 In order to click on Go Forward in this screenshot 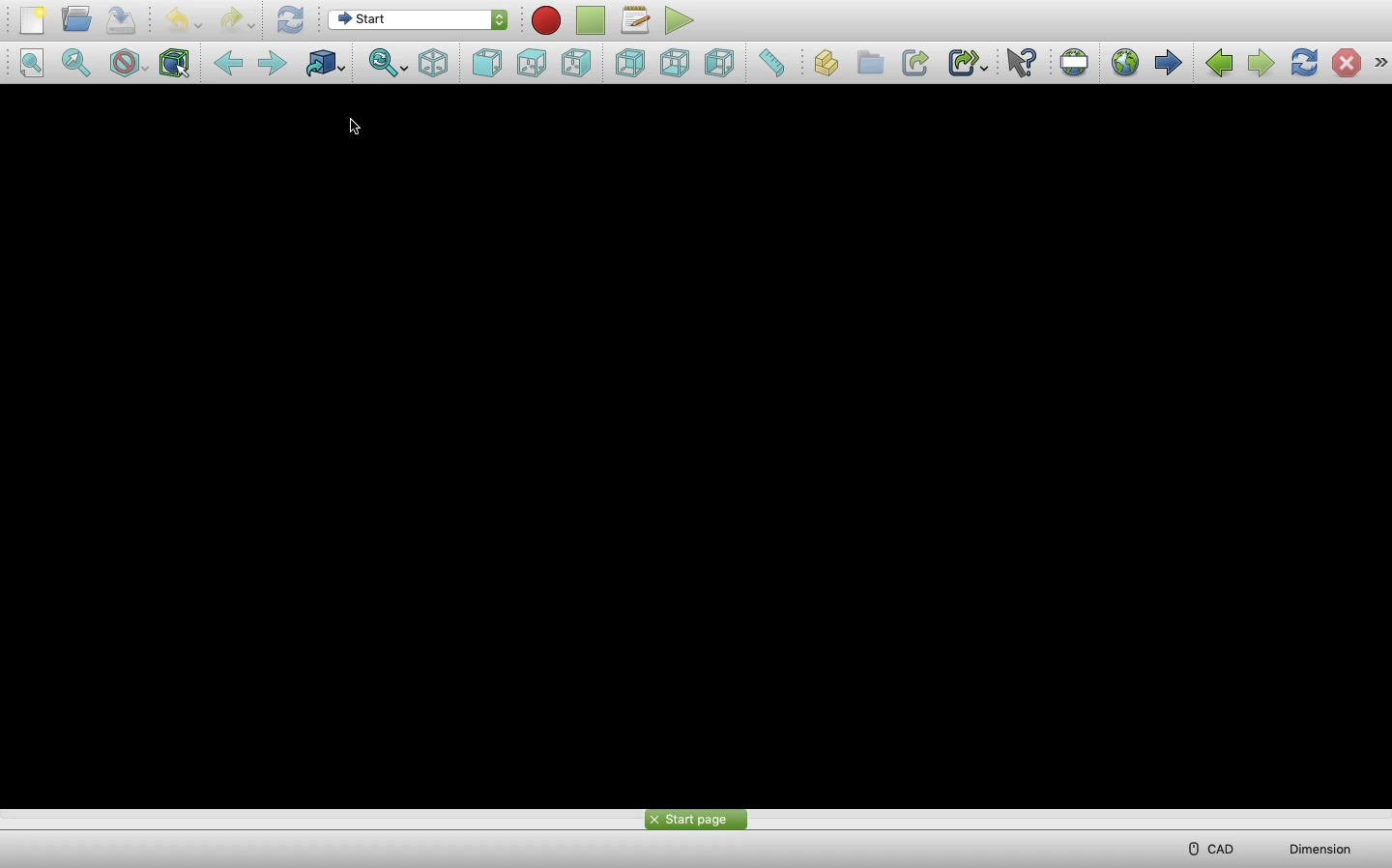, I will do `click(269, 62)`.